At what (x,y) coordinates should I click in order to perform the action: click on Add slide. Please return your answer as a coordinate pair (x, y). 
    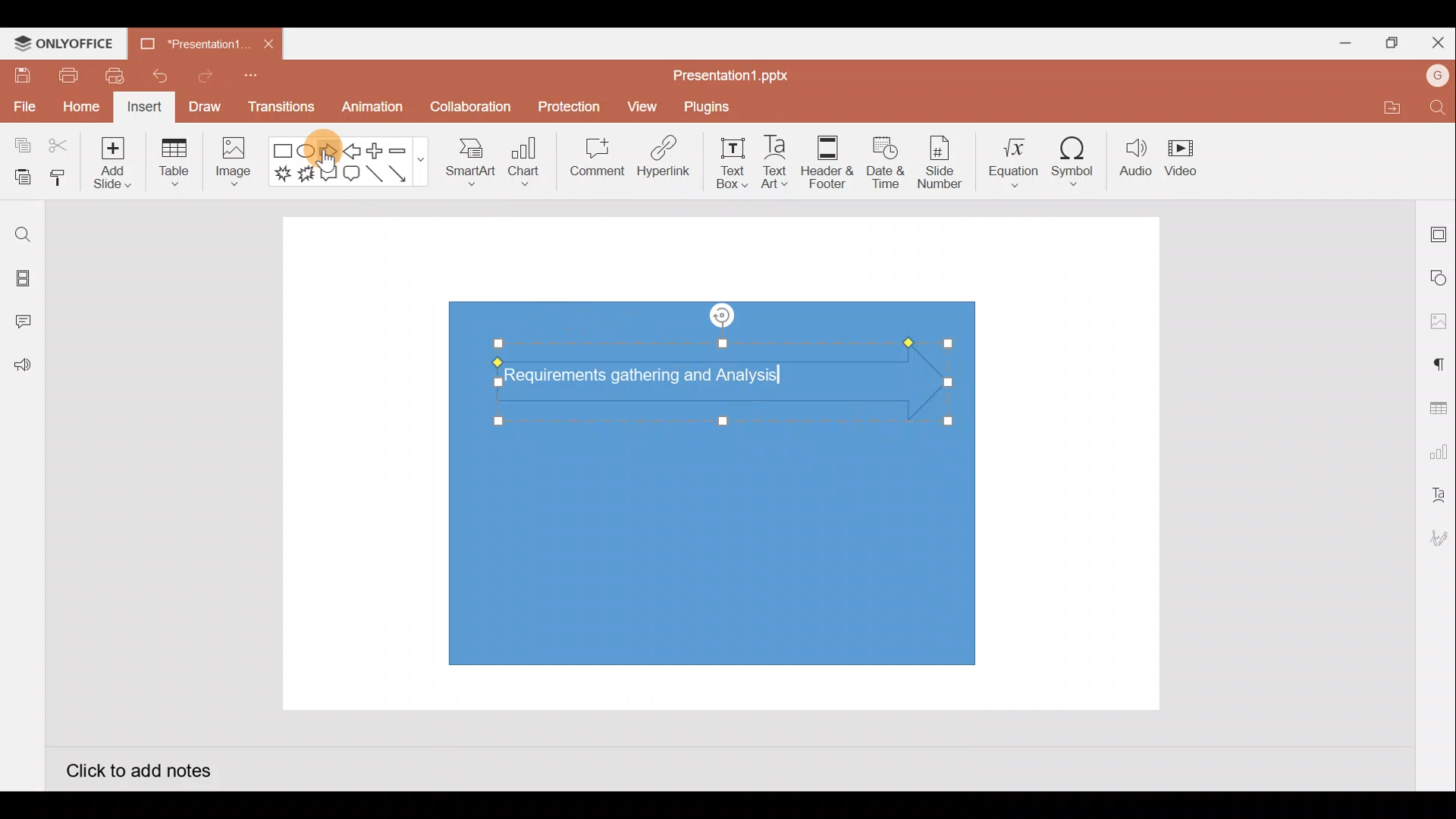
    Looking at the image, I should click on (110, 159).